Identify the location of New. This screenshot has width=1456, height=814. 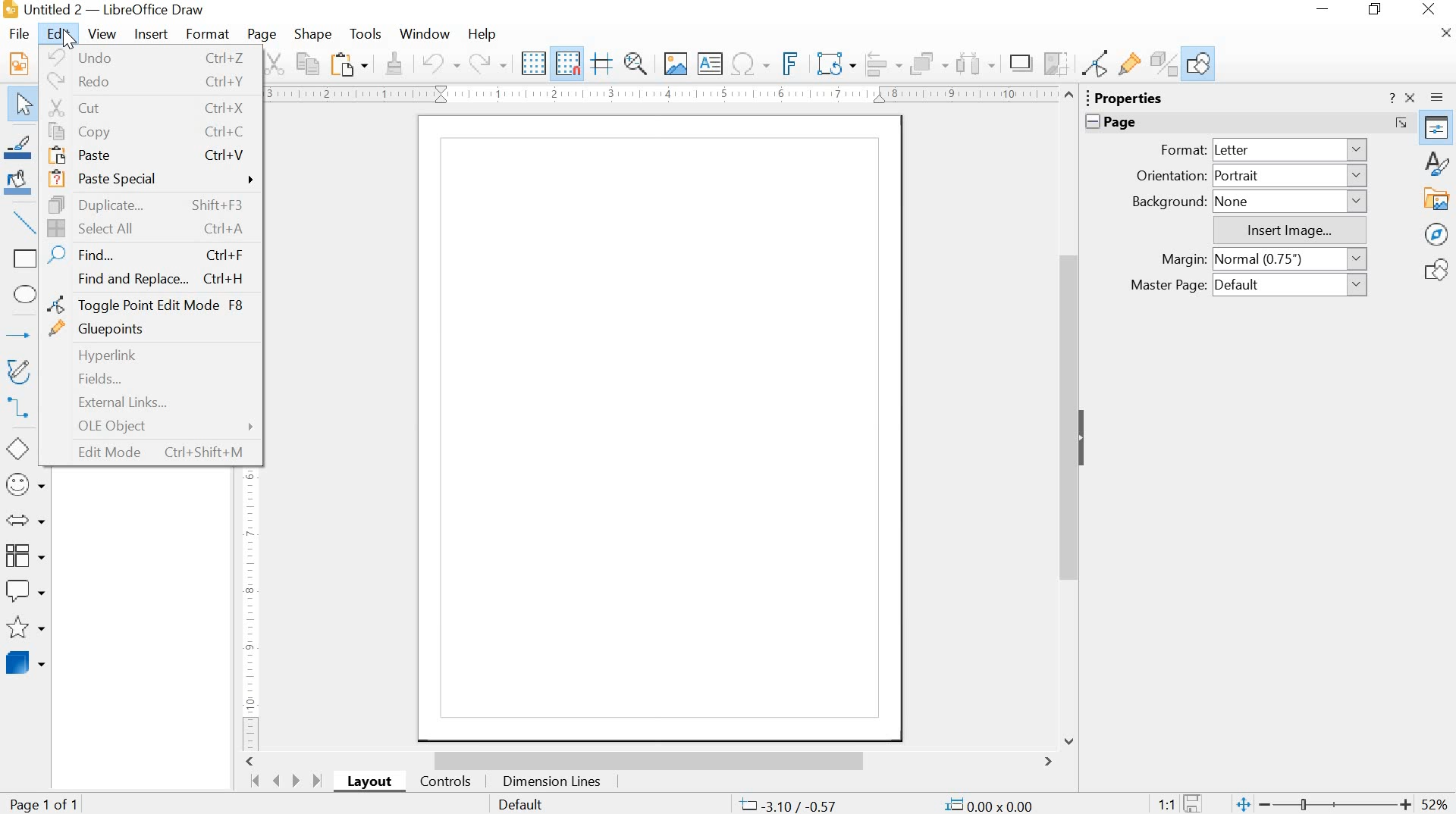
(27, 63).